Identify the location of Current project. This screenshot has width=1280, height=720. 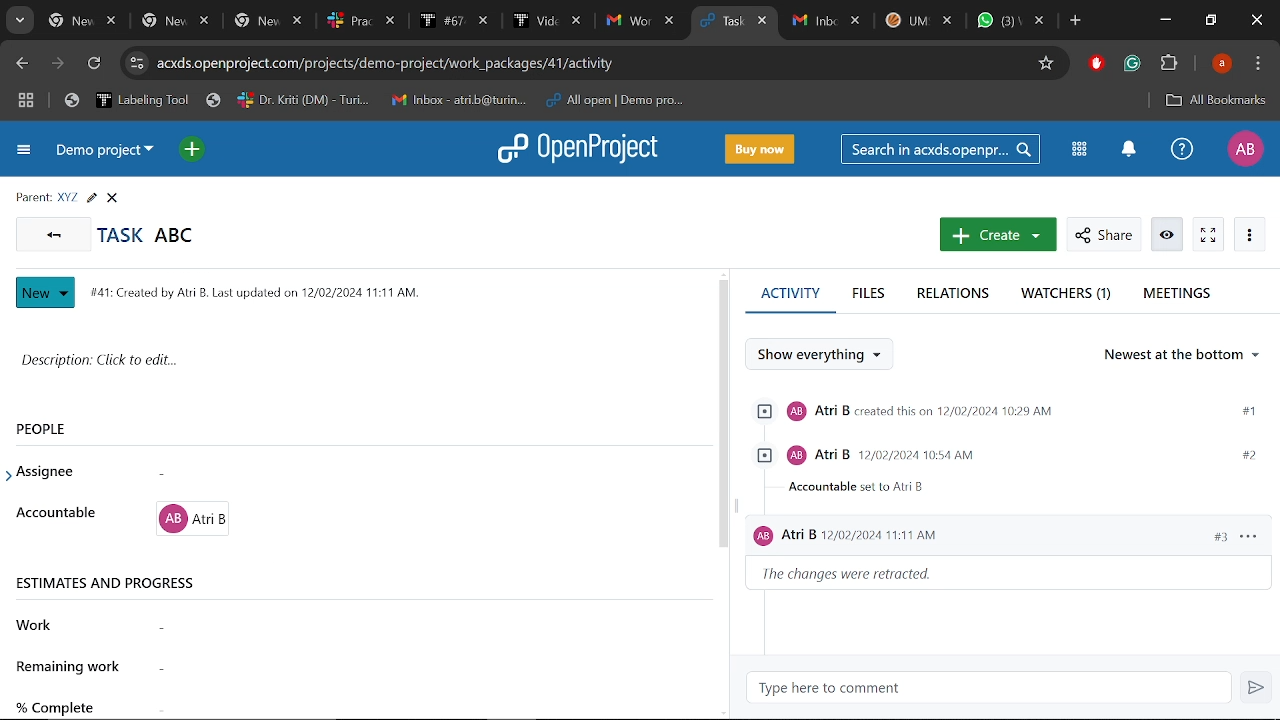
(105, 154).